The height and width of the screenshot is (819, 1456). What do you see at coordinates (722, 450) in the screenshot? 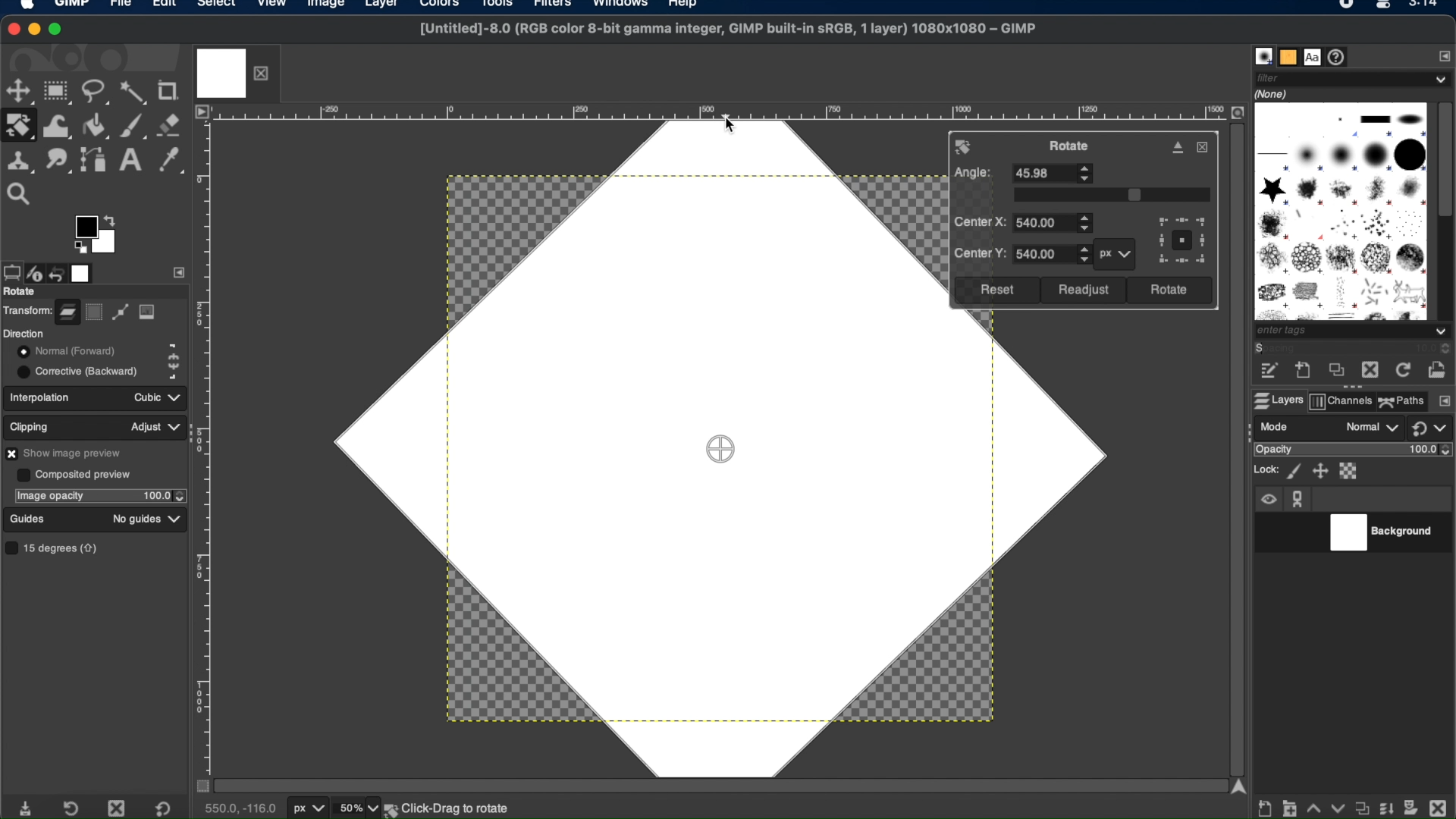
I see `drag center` at bounding box center [722, 450].